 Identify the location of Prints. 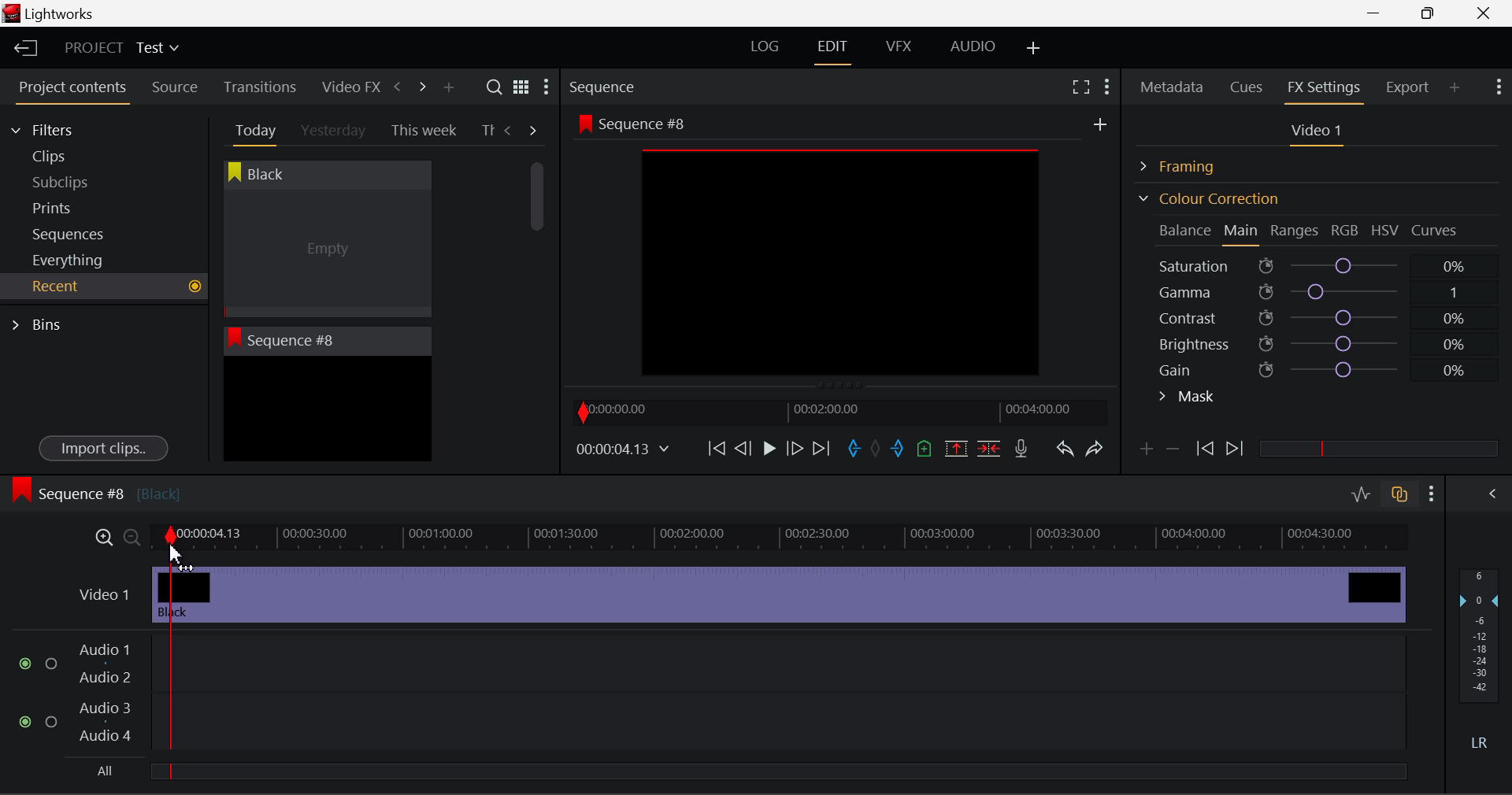
(74, 205).